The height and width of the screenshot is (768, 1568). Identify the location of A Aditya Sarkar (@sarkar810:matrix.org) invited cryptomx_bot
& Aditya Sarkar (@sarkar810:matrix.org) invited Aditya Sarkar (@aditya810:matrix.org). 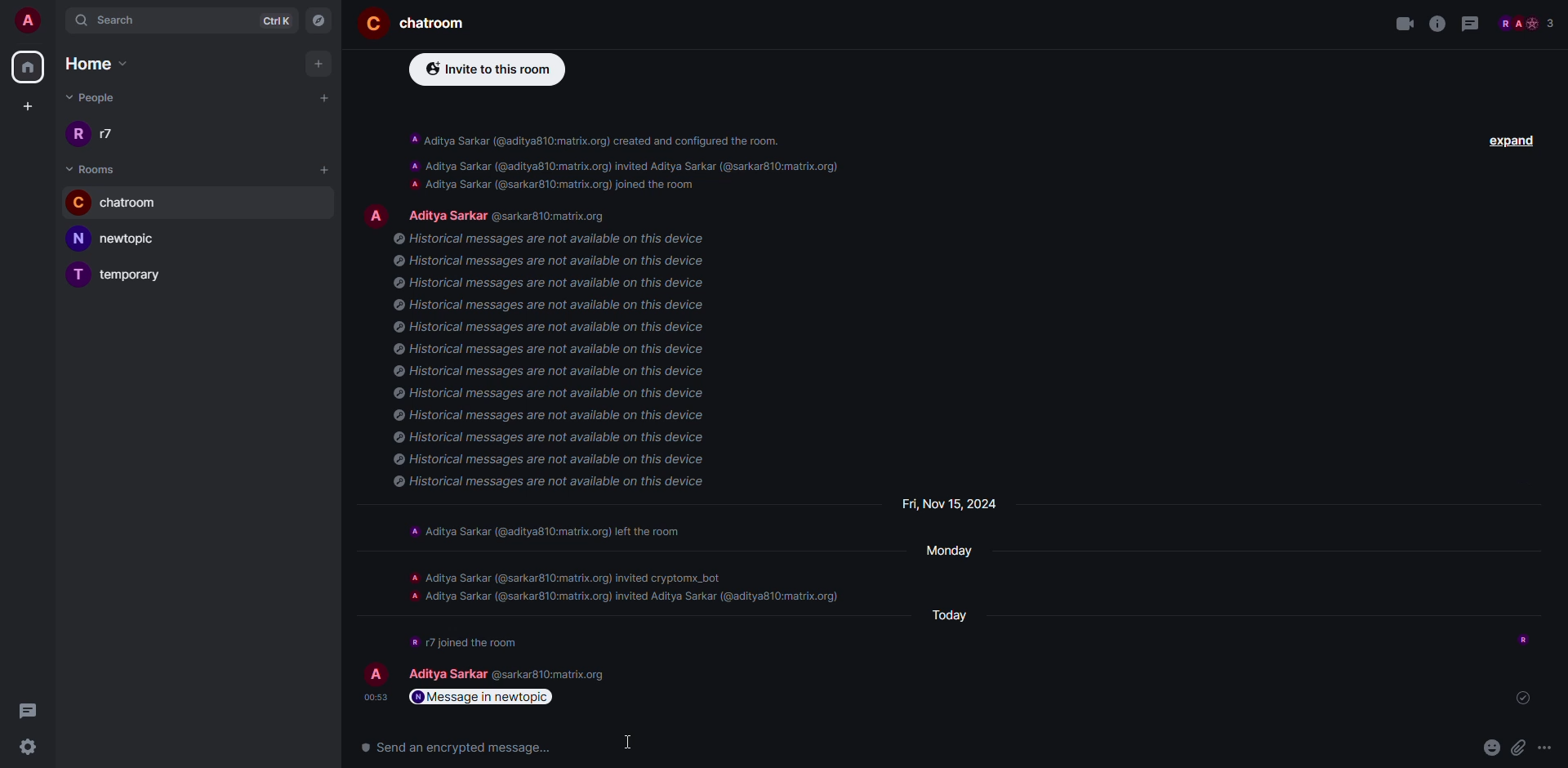
(625, 593).